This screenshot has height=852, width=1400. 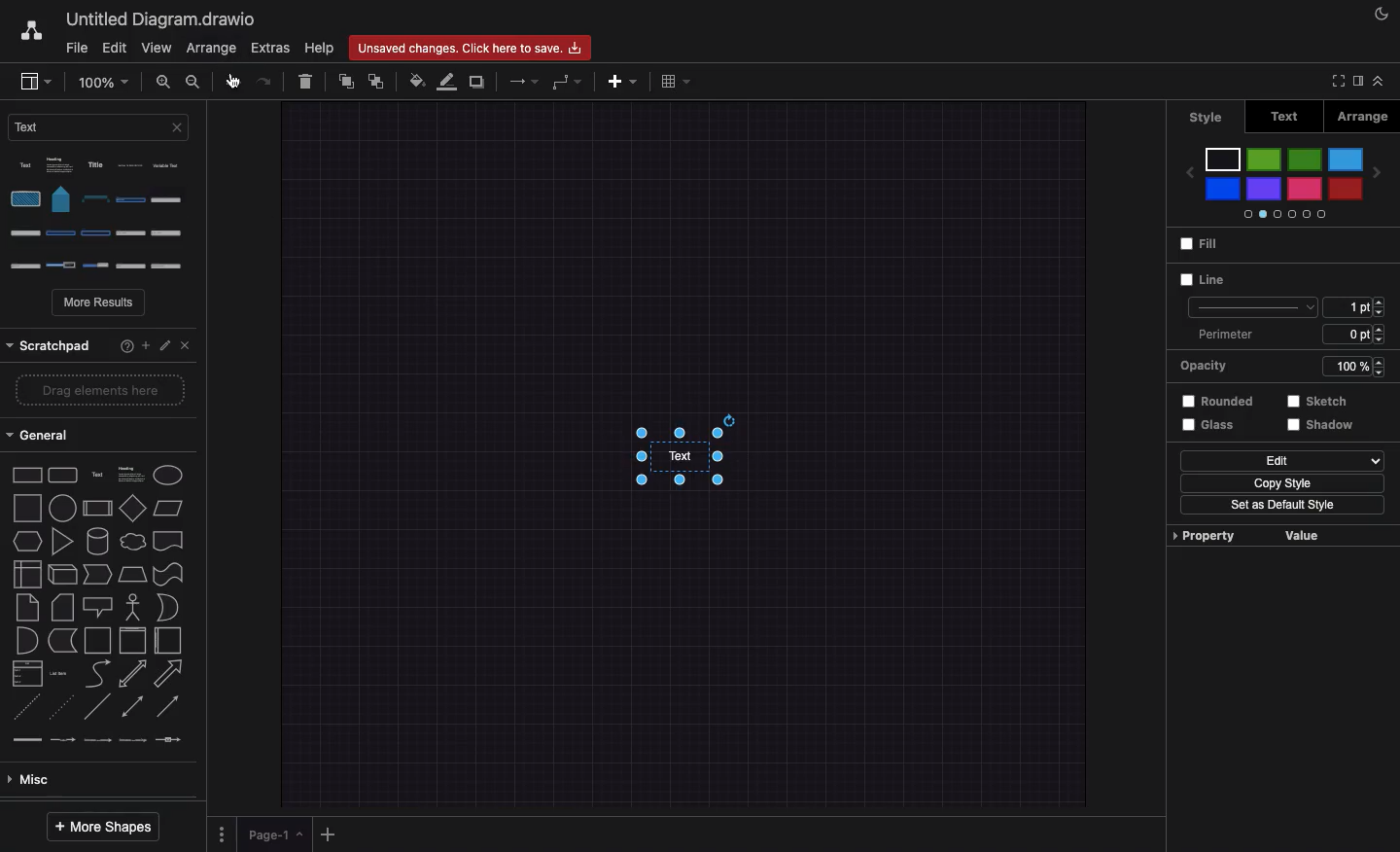 What do you see at coordinates (378, 81) in the screenshot?
I see `To back` at bounding box center [378, 81].